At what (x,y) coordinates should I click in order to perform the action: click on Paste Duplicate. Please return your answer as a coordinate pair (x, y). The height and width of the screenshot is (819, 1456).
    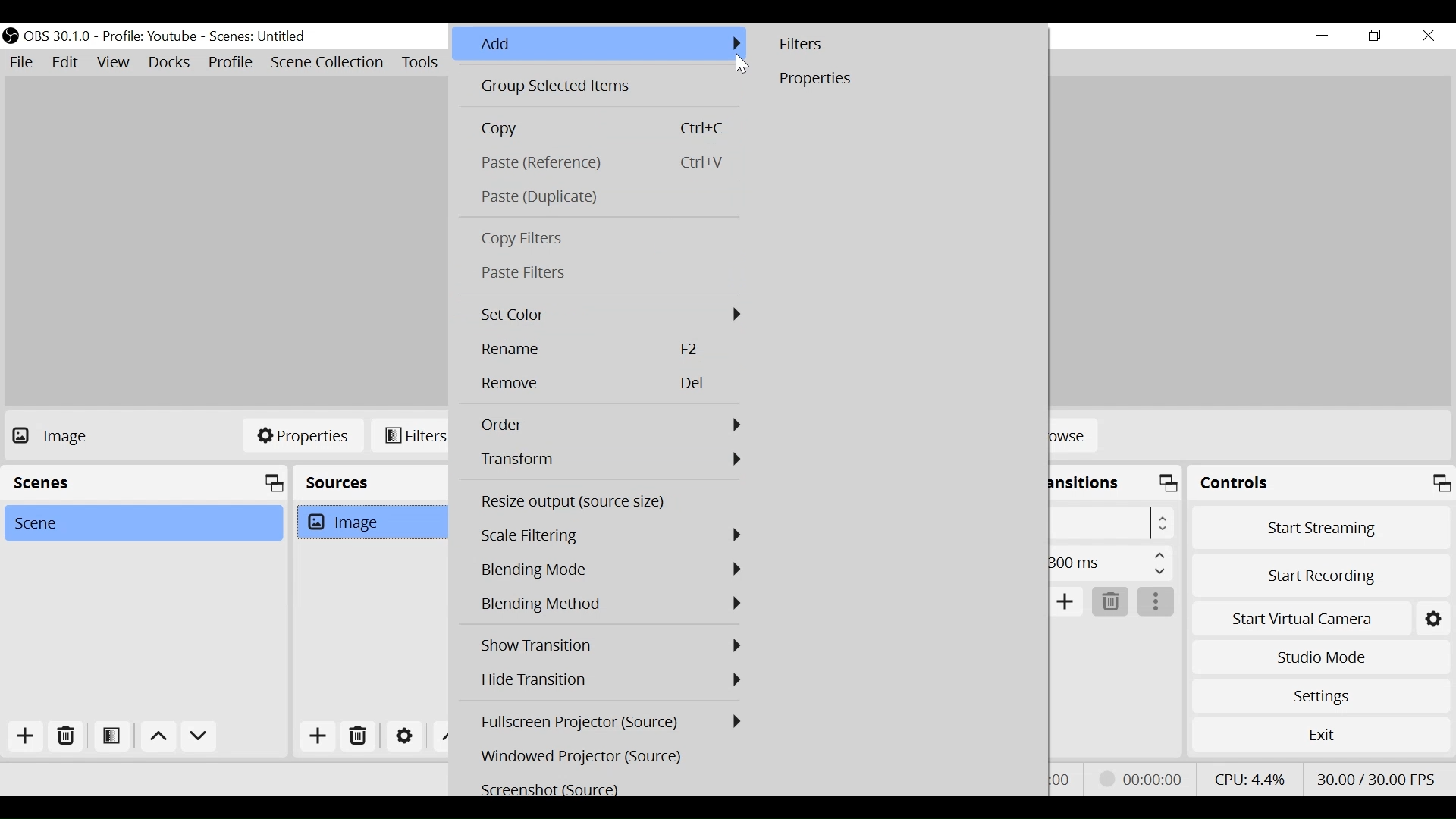
    Looking at the image, I should click on (604, 199).